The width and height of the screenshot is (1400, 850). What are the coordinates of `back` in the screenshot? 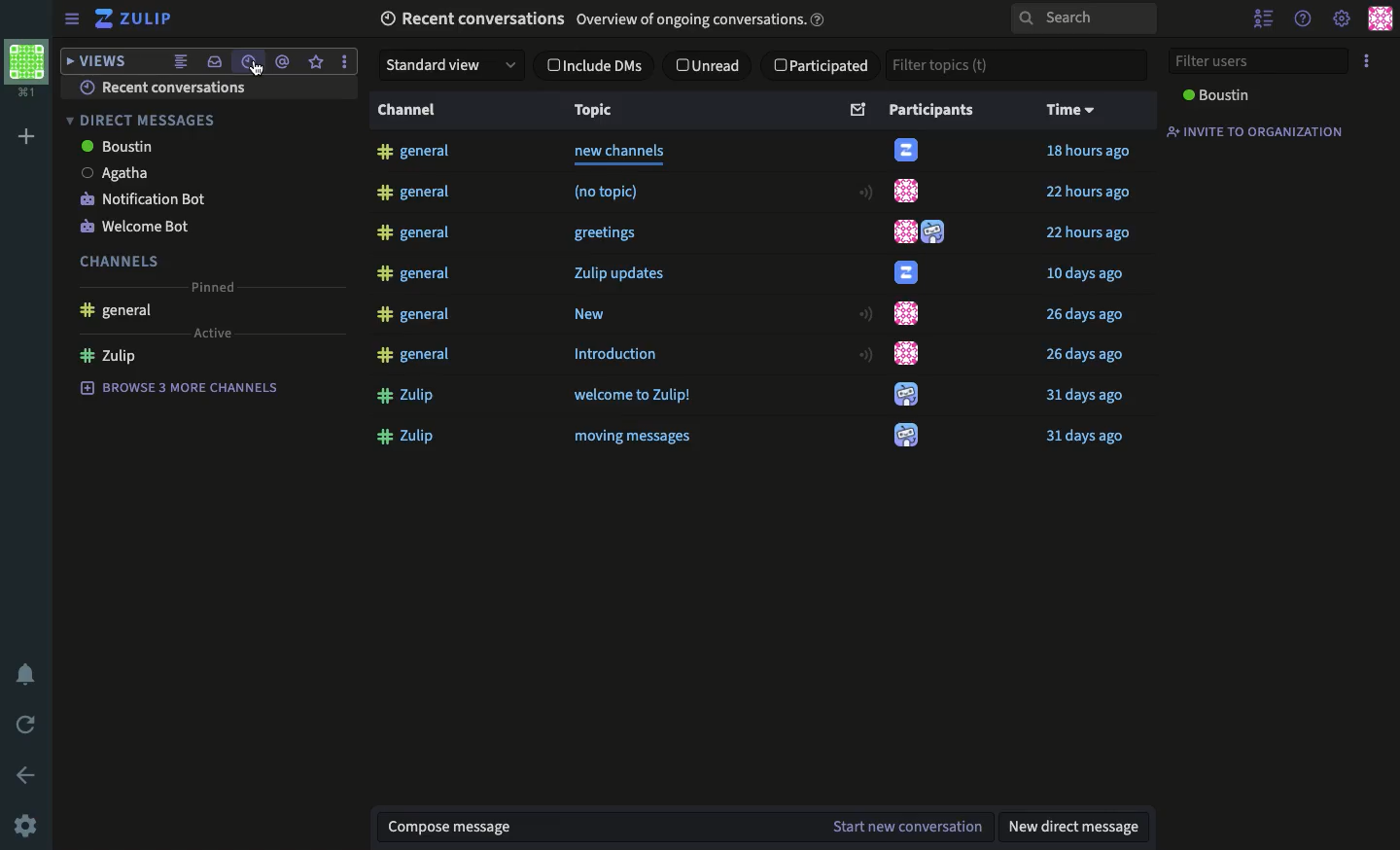 It's located at (27, 775).